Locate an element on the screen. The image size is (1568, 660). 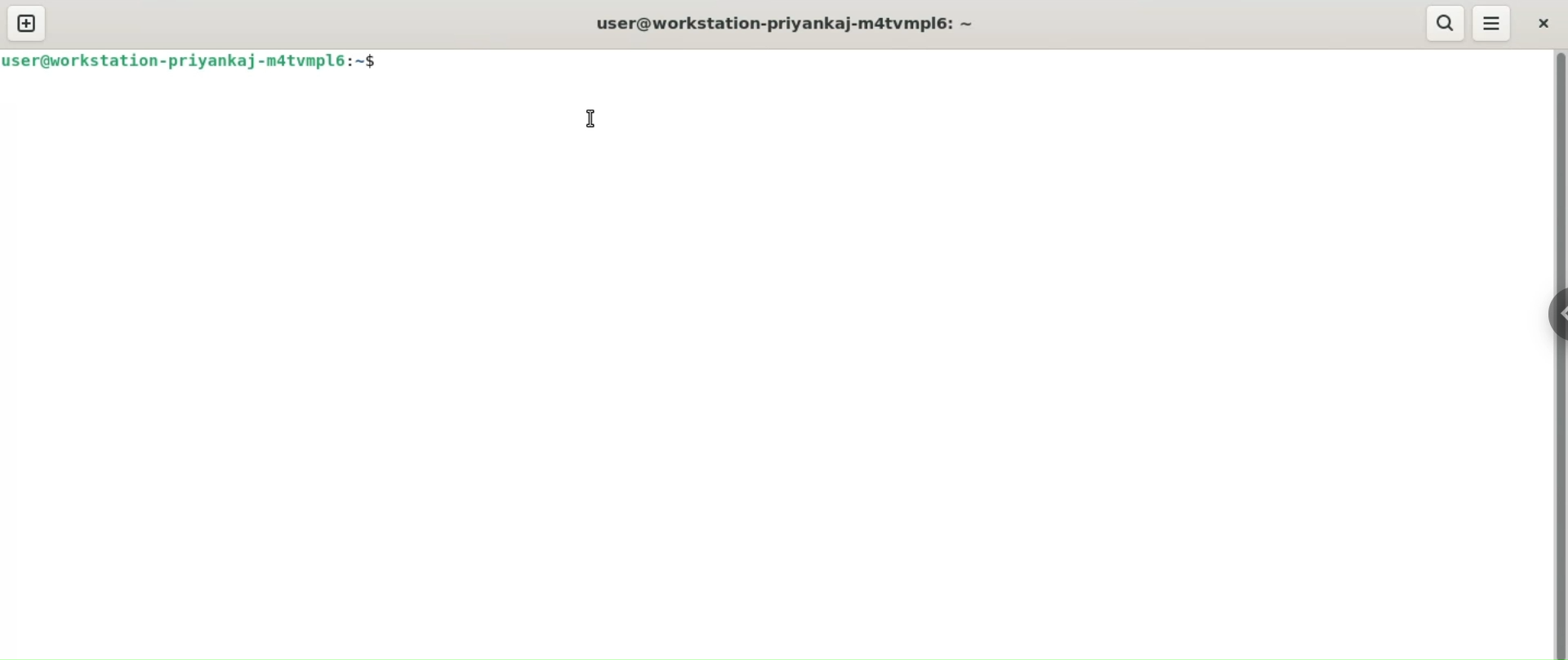
search is located at coordinates (1445, 22).